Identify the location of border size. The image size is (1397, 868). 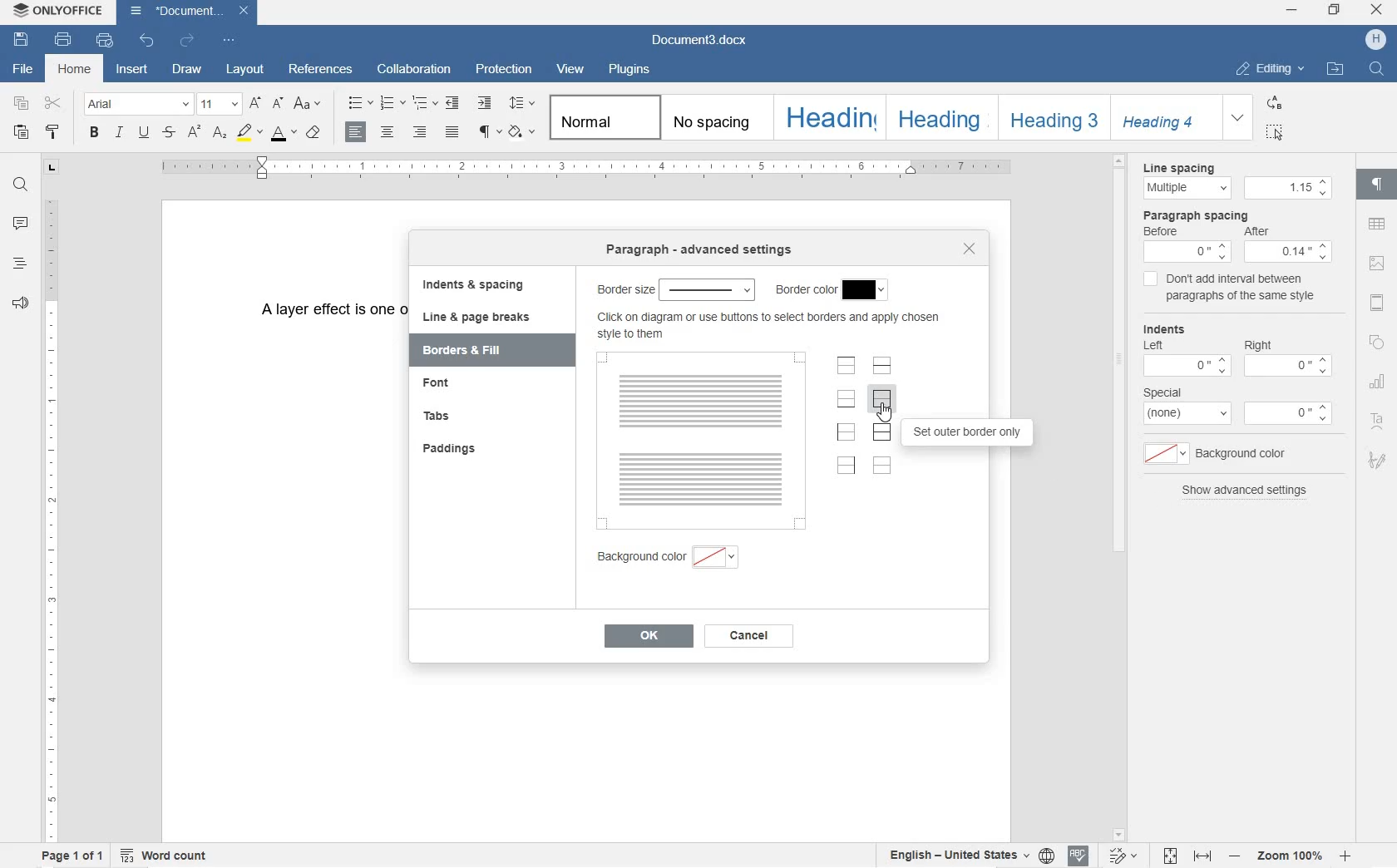
(676, 289).